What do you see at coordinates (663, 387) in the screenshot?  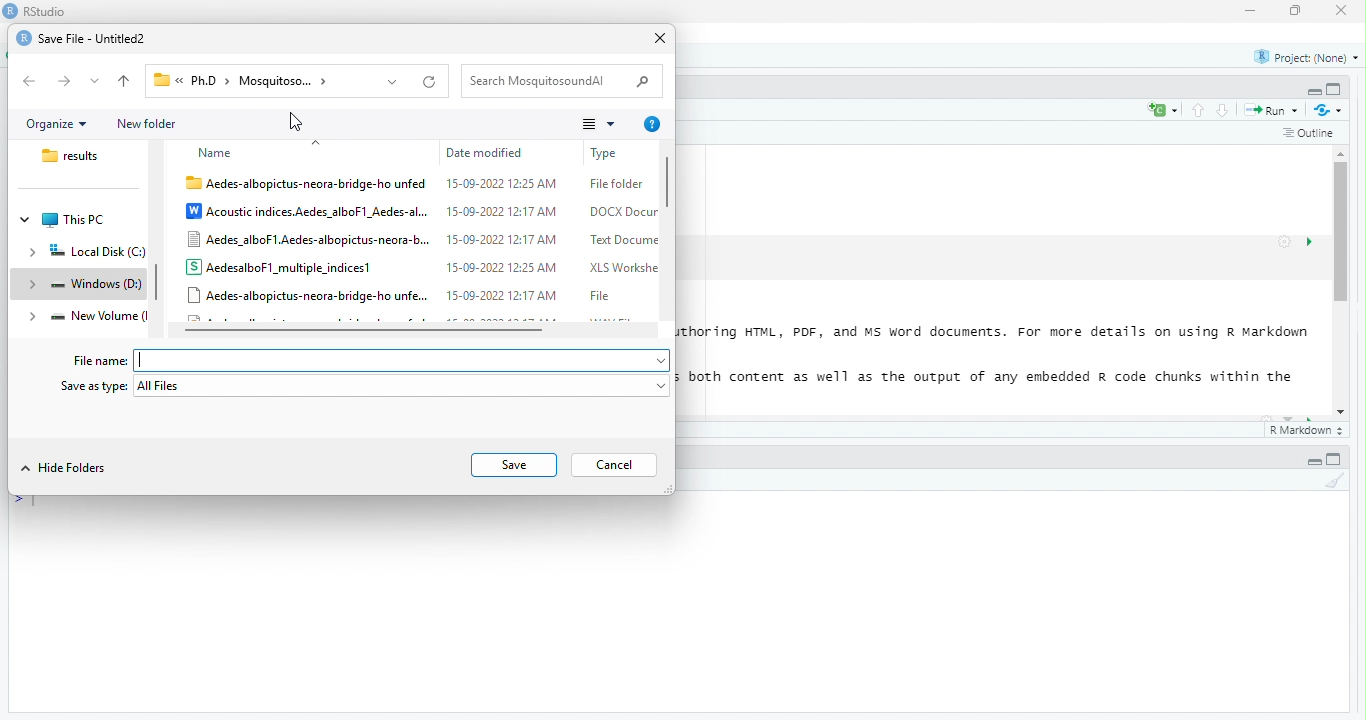 I see `Drop-down ` at bounding box center [663, 387].